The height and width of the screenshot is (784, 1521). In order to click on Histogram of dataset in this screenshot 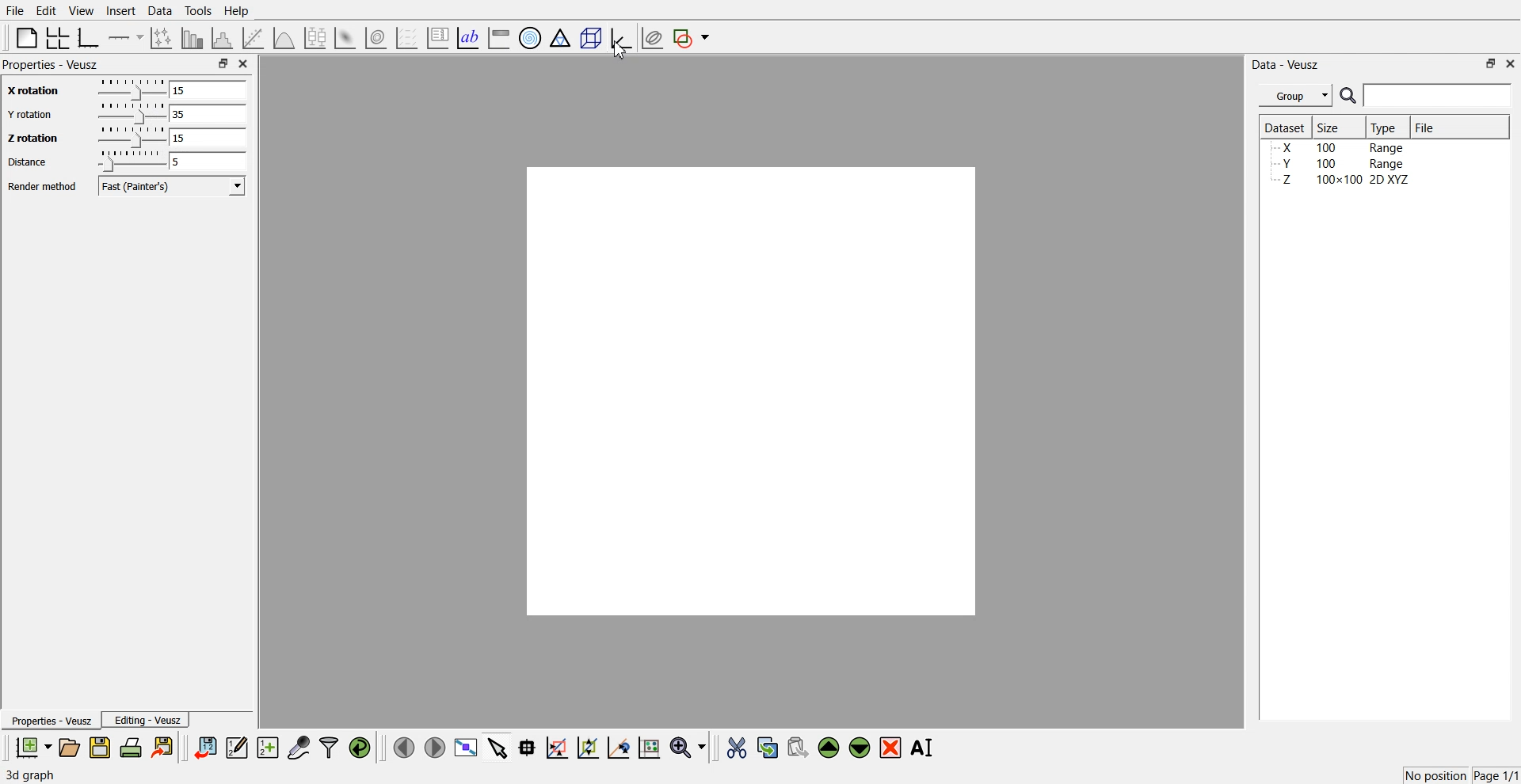, I will do `click(220, 39)`.